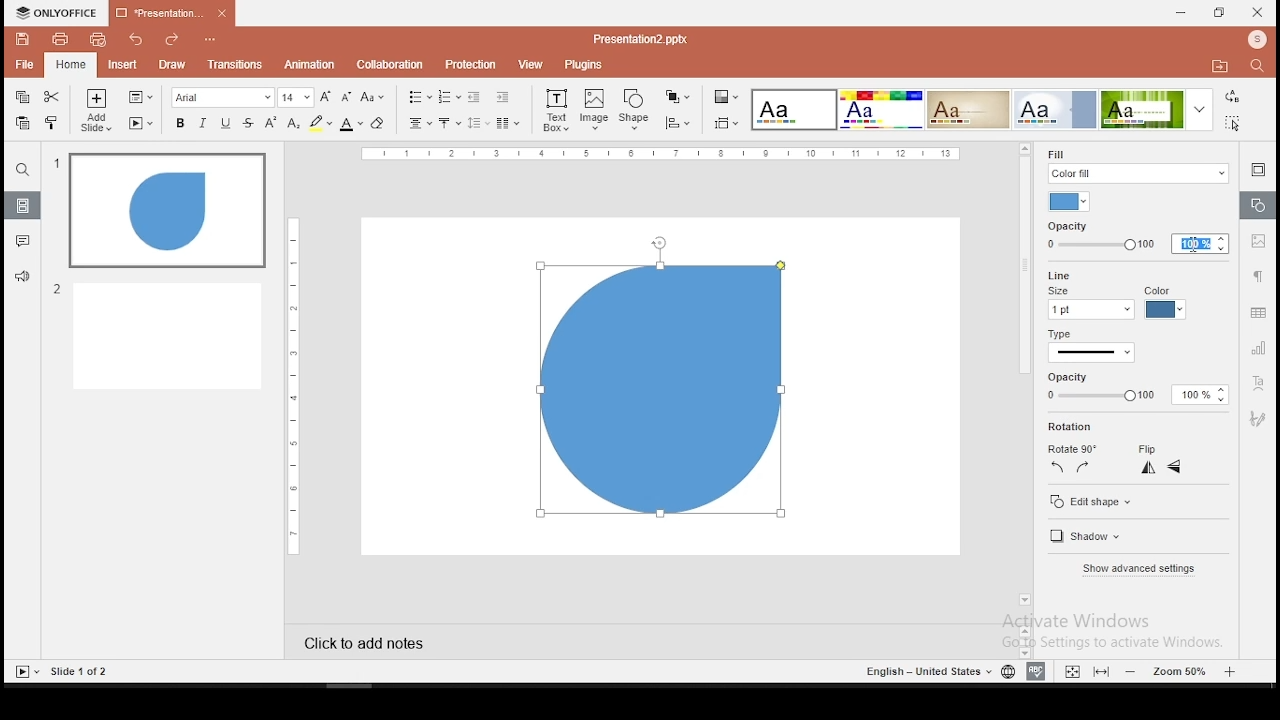  What do you see at coordinates (1232, 99) in the screenshot?
I see `replace` at bounding box center [1232, 99].